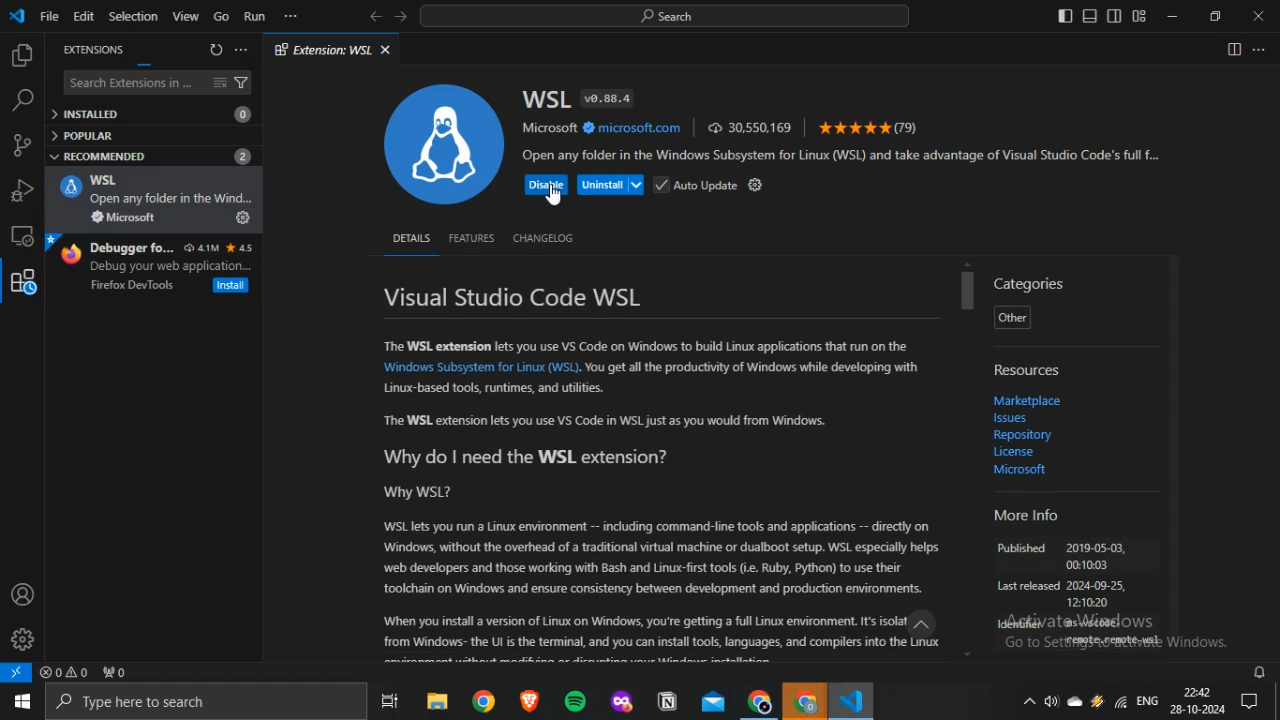 This screenshot has height=720, width=1280. What do you see at coordinates (1234, 49) in the screenshot?
I see `Split editor` at bounding box center [1234, 49].